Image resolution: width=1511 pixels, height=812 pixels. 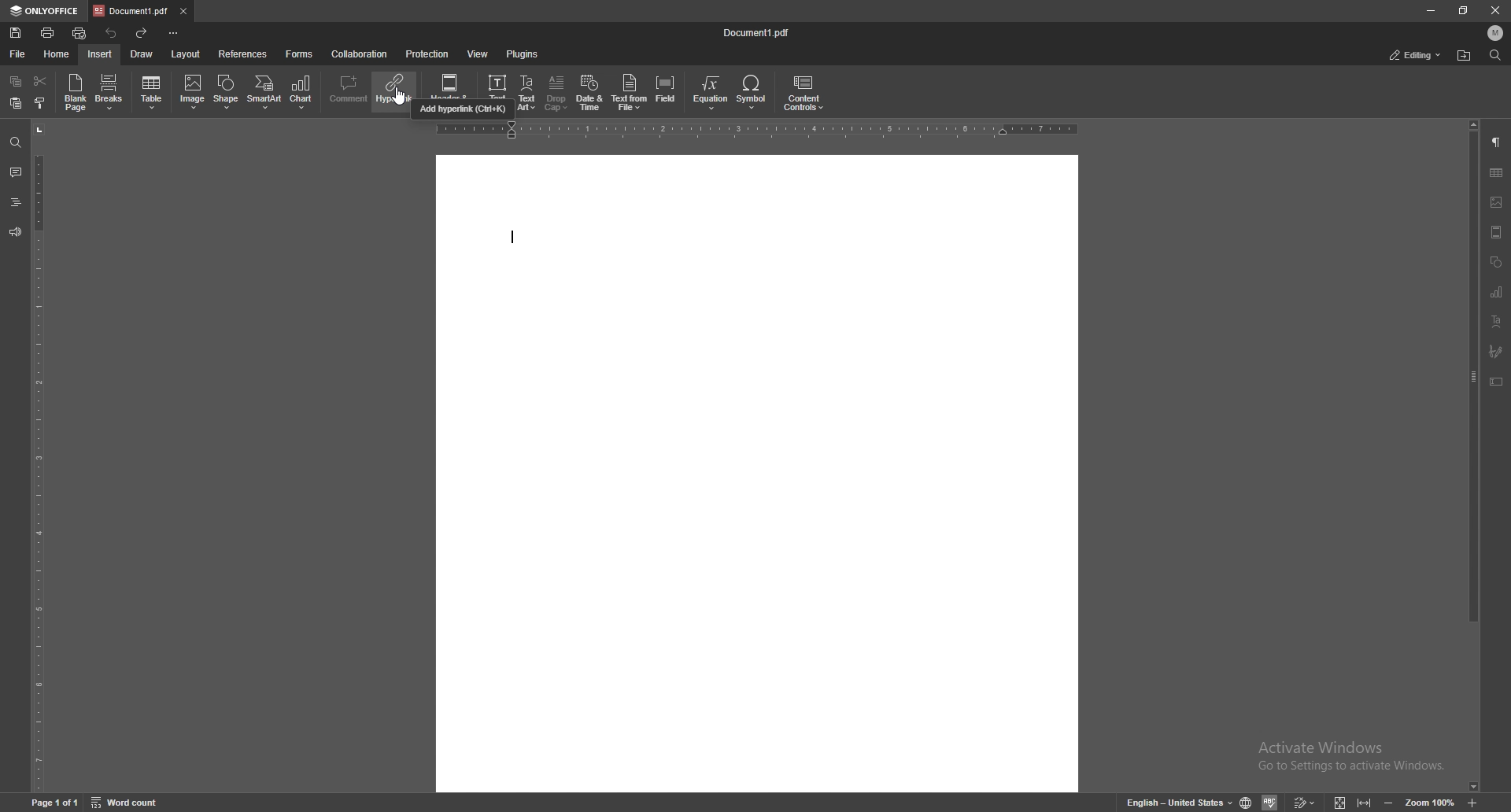 What do you see at coordinates (76, 92) in the screenshot?
I see `blank page` at bounding box center [76, 92].